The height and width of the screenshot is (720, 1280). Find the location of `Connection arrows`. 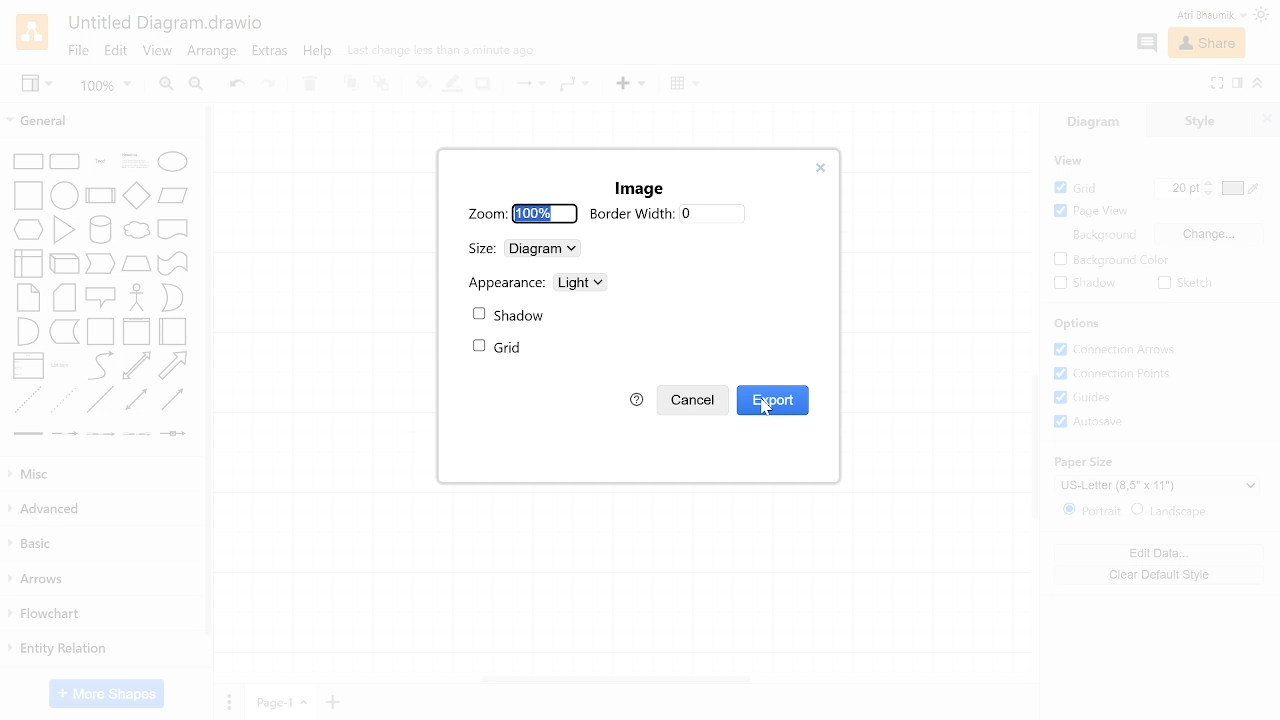

Connection arrows is located at coordinates (1122, 350).